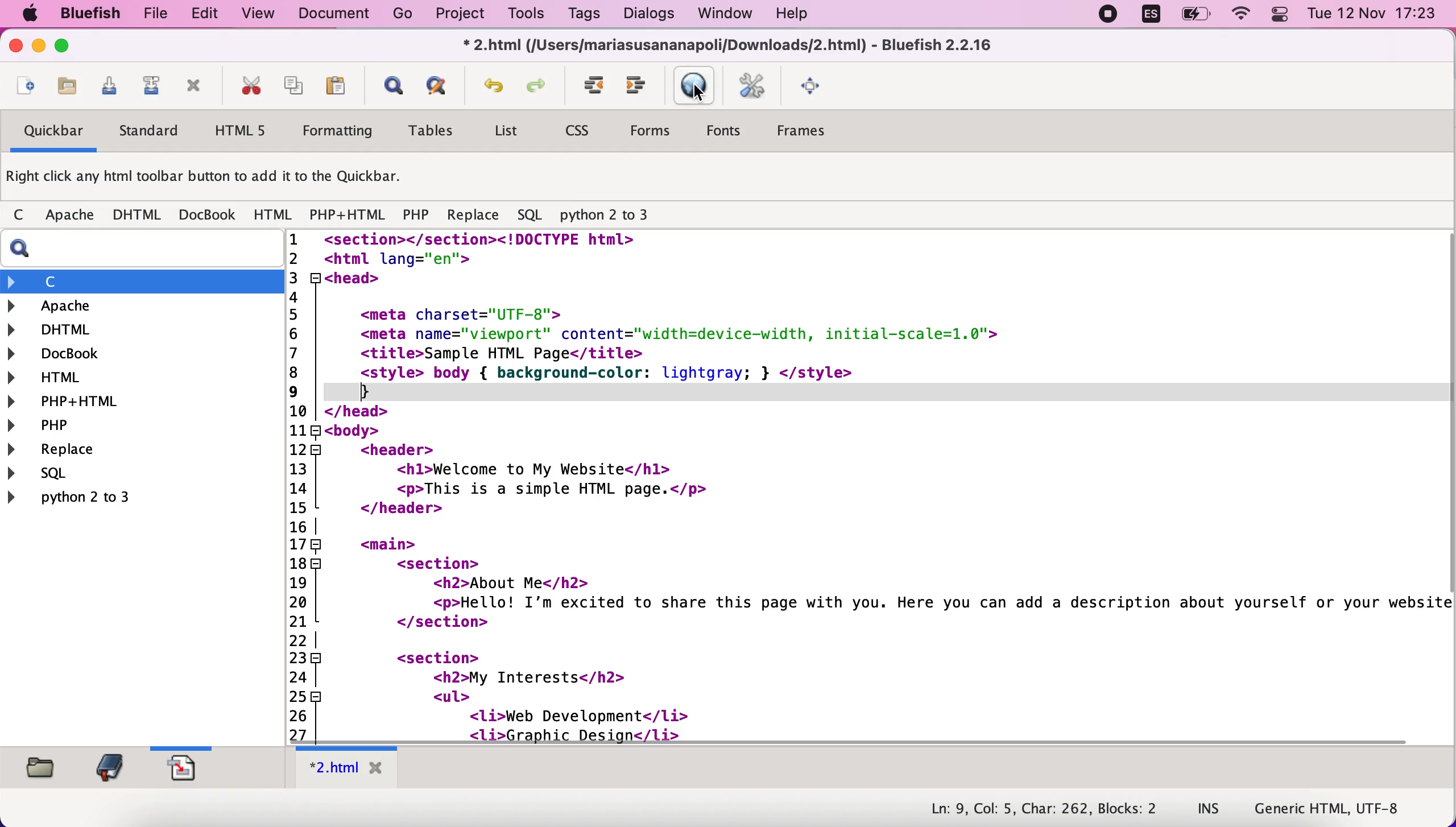 The image size is (1456, 827). What do you see at coordinates (335, 15) in the screenshot?
I see `document` at bounding box center [335, 15].